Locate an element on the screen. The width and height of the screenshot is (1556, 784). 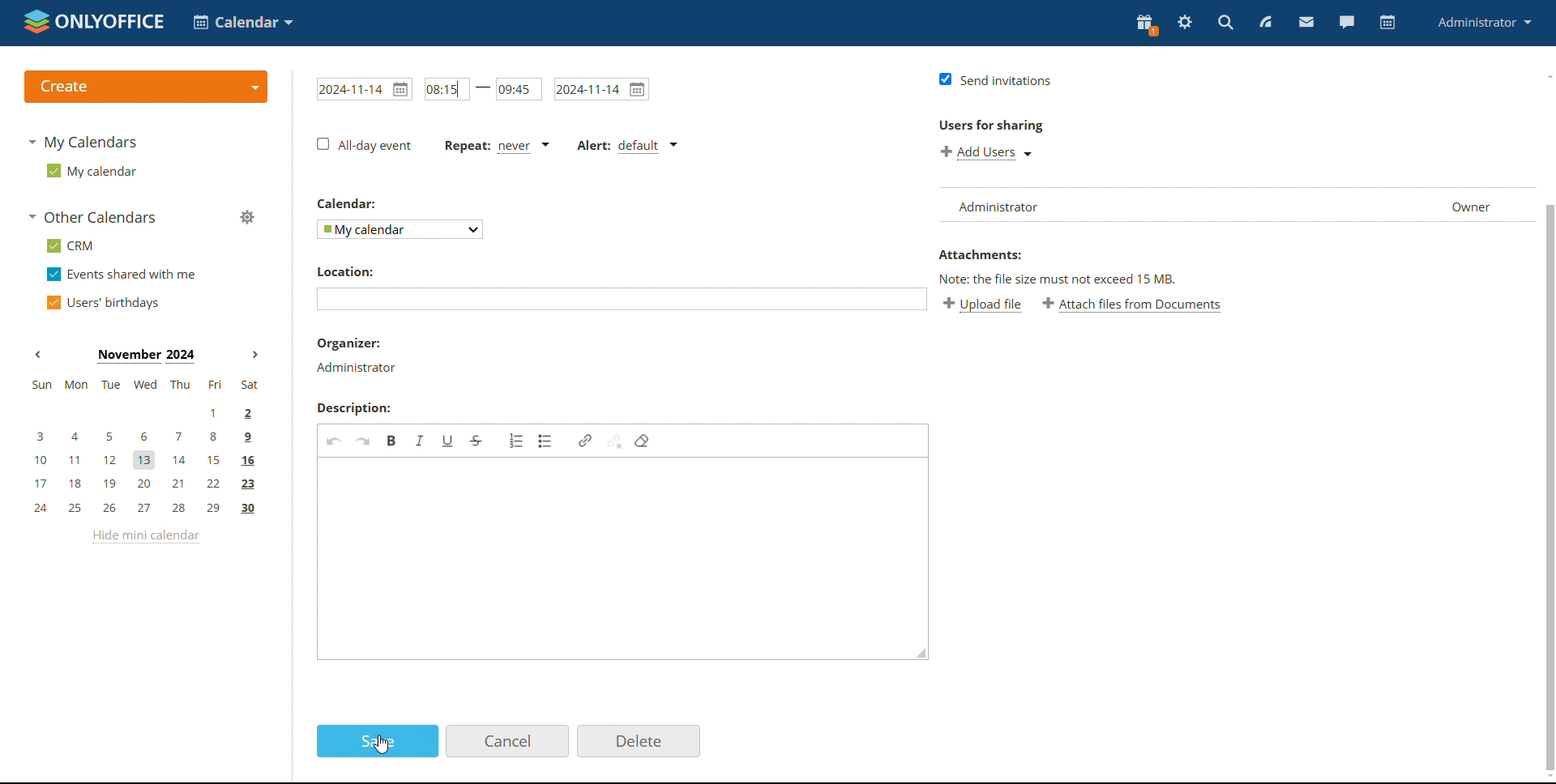
organizer is located at coordinates (357, 355).